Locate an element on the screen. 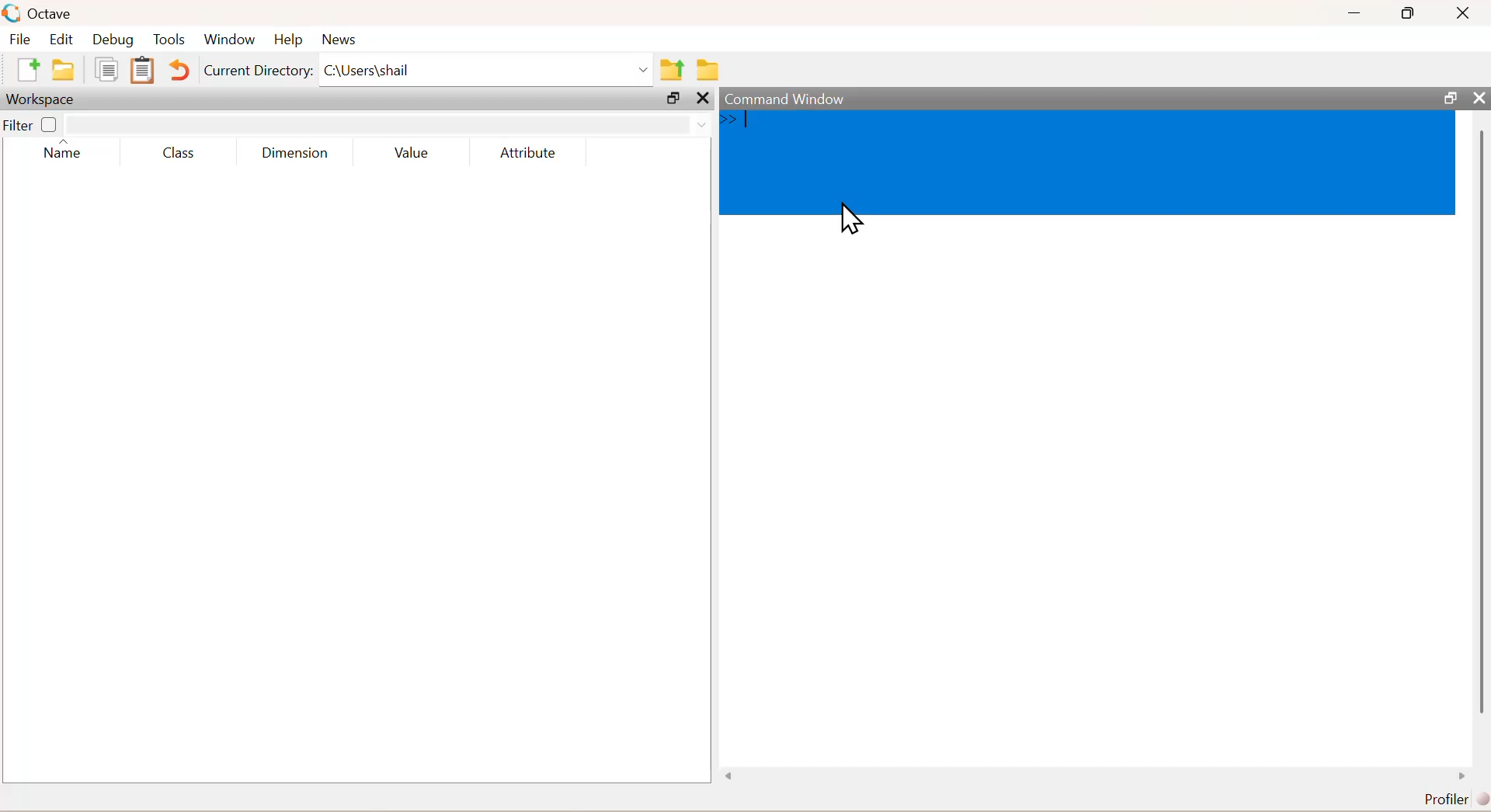 The height and width of the screenshot is (812, 1491). folder is located at coordinates (710, 70).